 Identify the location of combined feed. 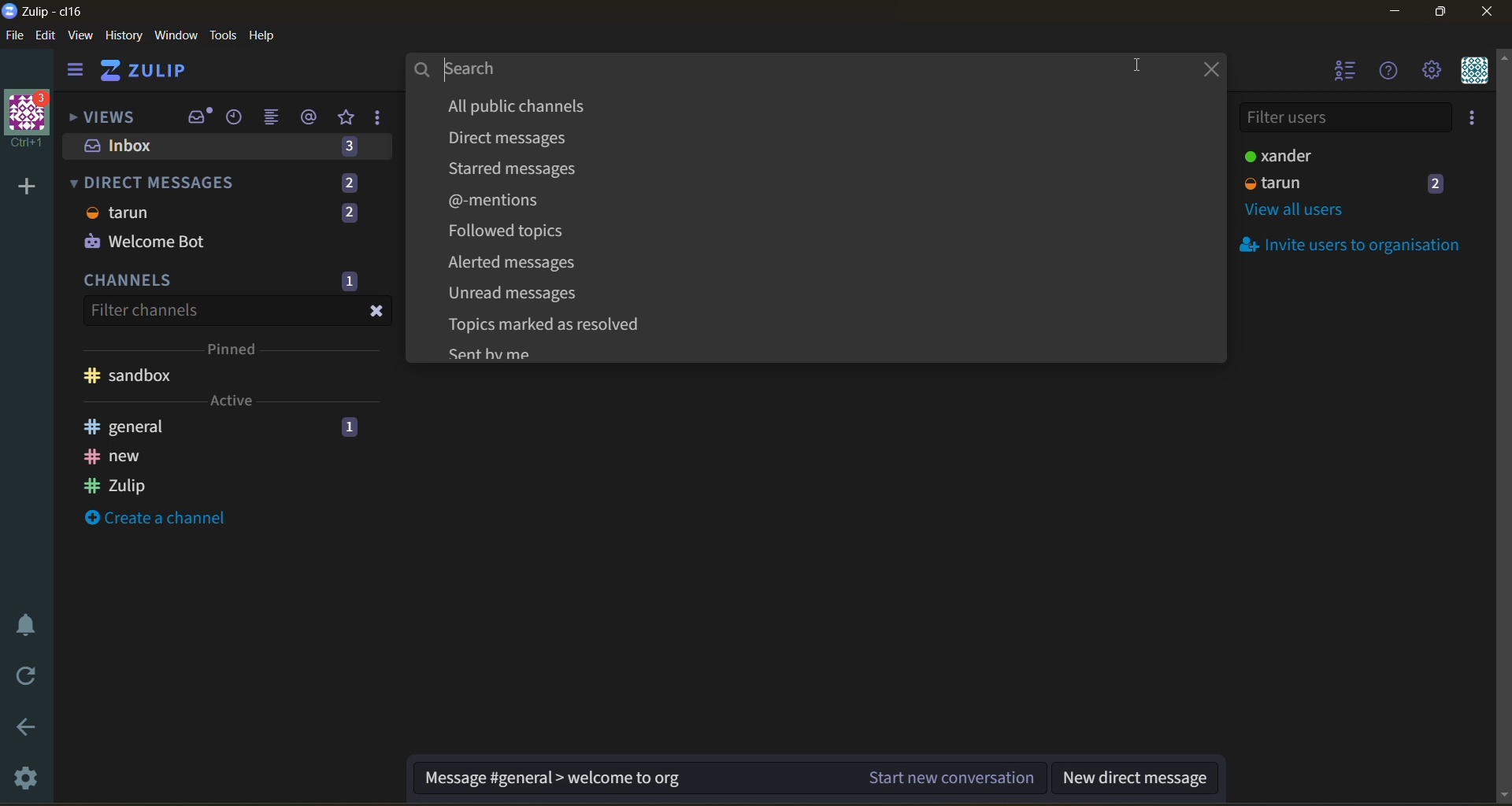
(274, 118).